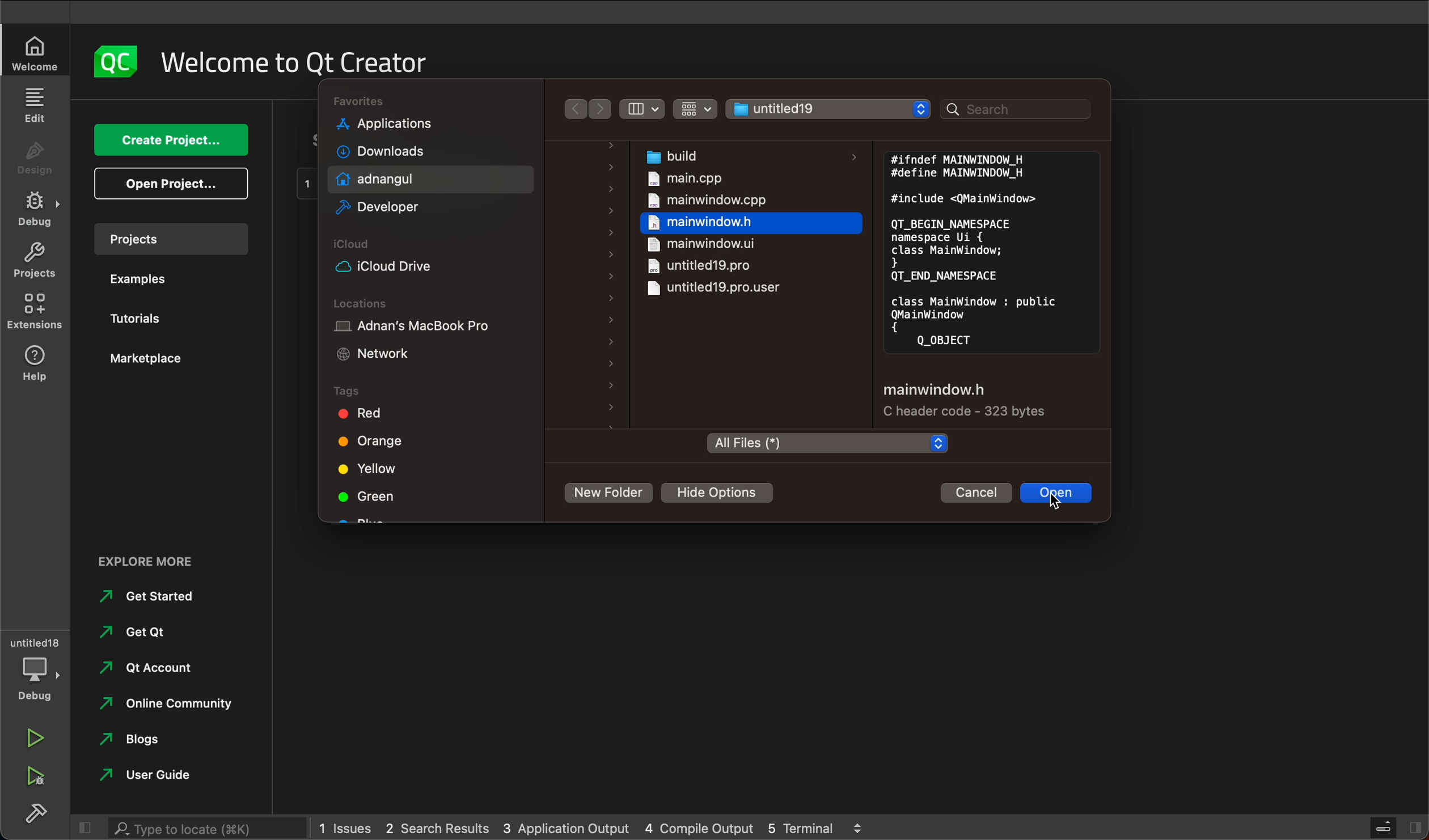 This screenshot has height=840, width=1429. What do you see at coordinates (374, 499) in the screenshot?
I see `green` at bounding box center [374, 499].